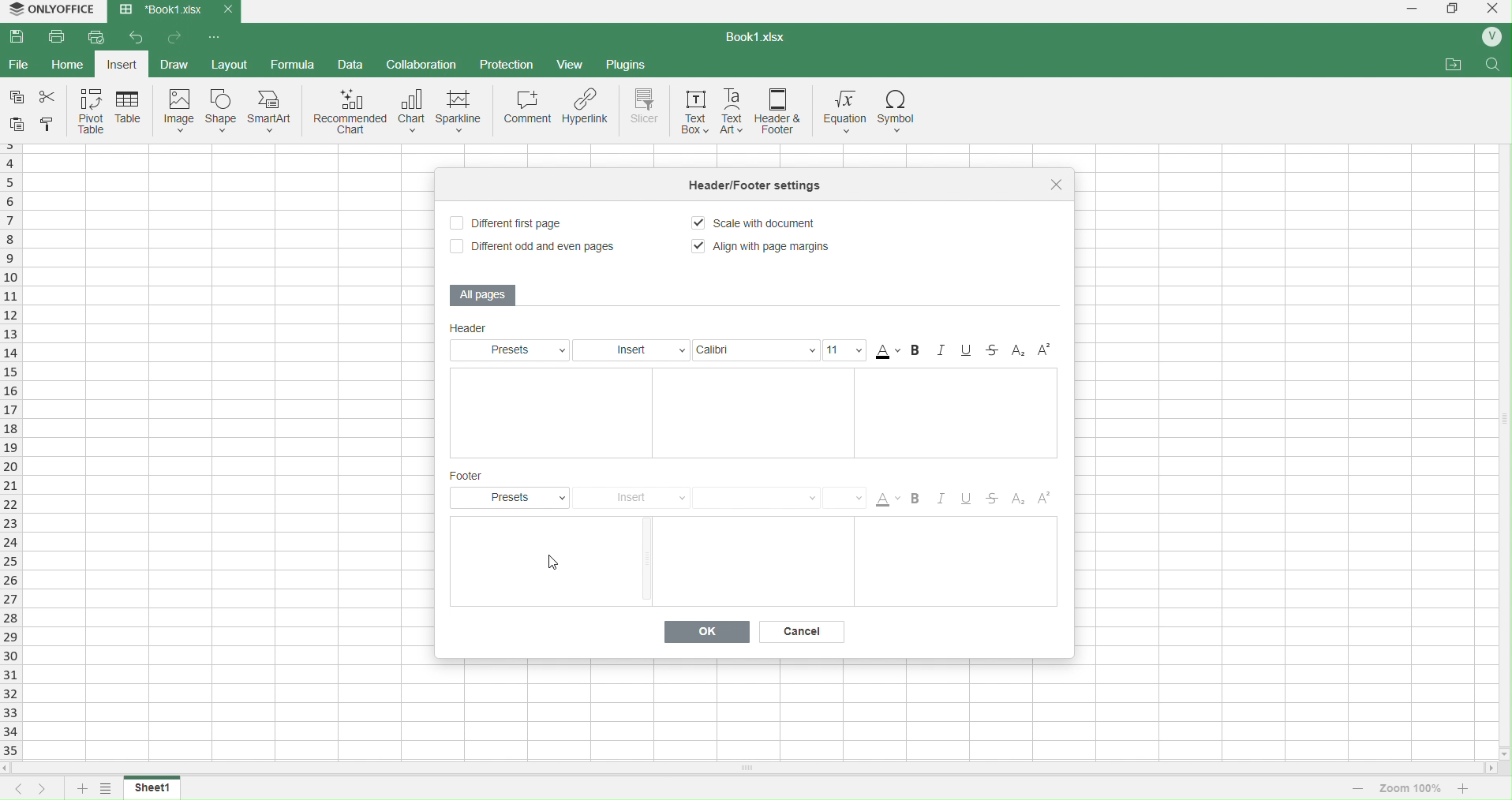  I want to click on SubScript, so click(1019, 499).